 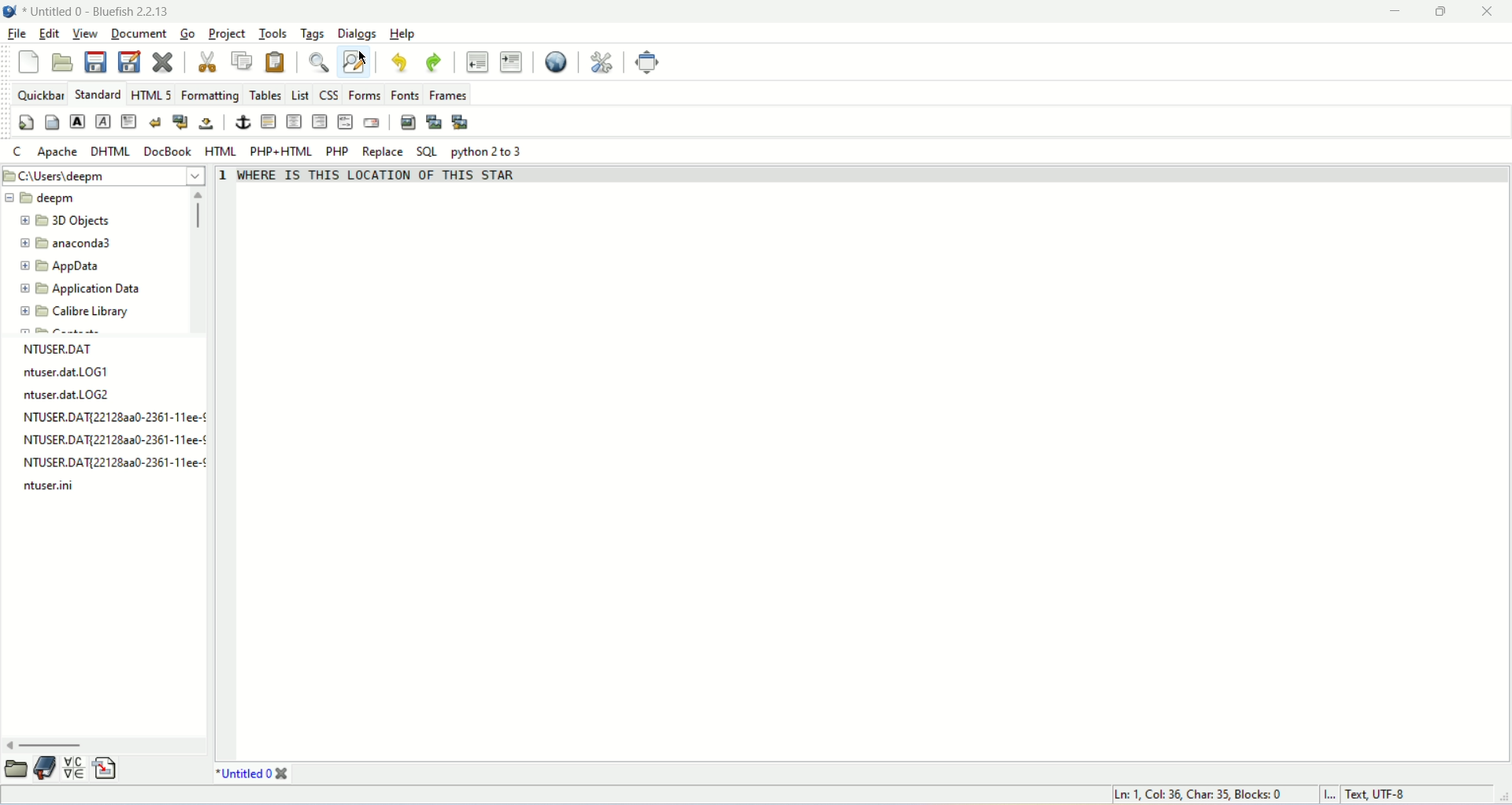 I want to click on quickbar, so click(x=39, y=95).